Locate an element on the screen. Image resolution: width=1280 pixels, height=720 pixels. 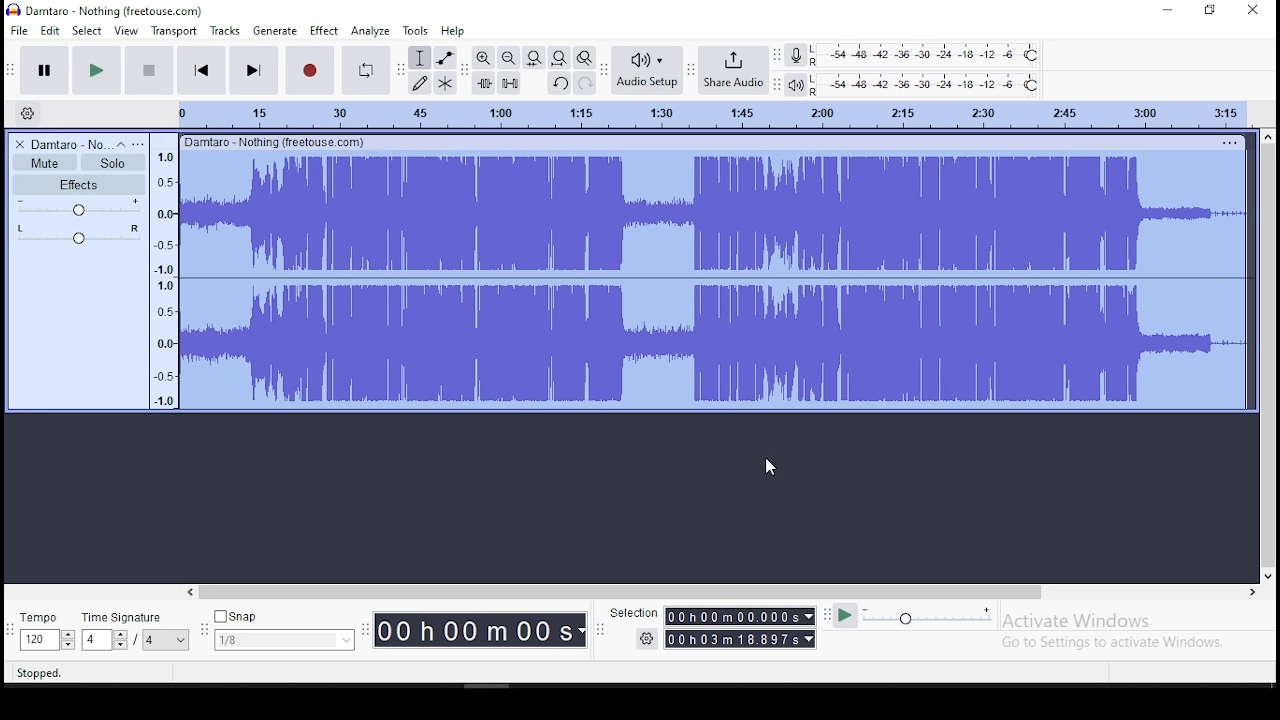
analyze is located at coordinates (370, 31).